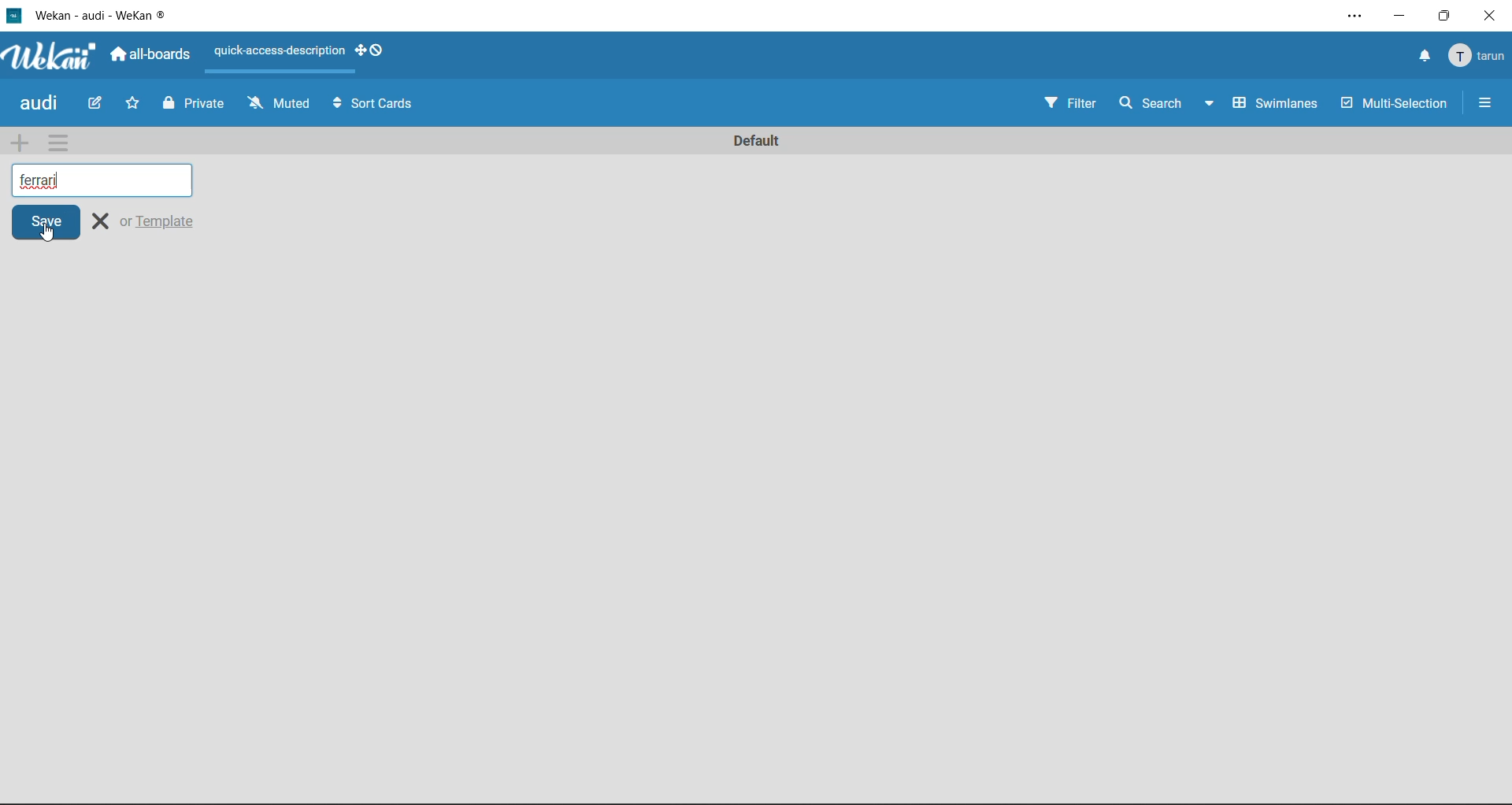 This screenshot has width=1512, height=805. What do you see at coordinates (372, 51) in the screenshot?
I see `show desktop drag handles` at bounding box center [372, 51].